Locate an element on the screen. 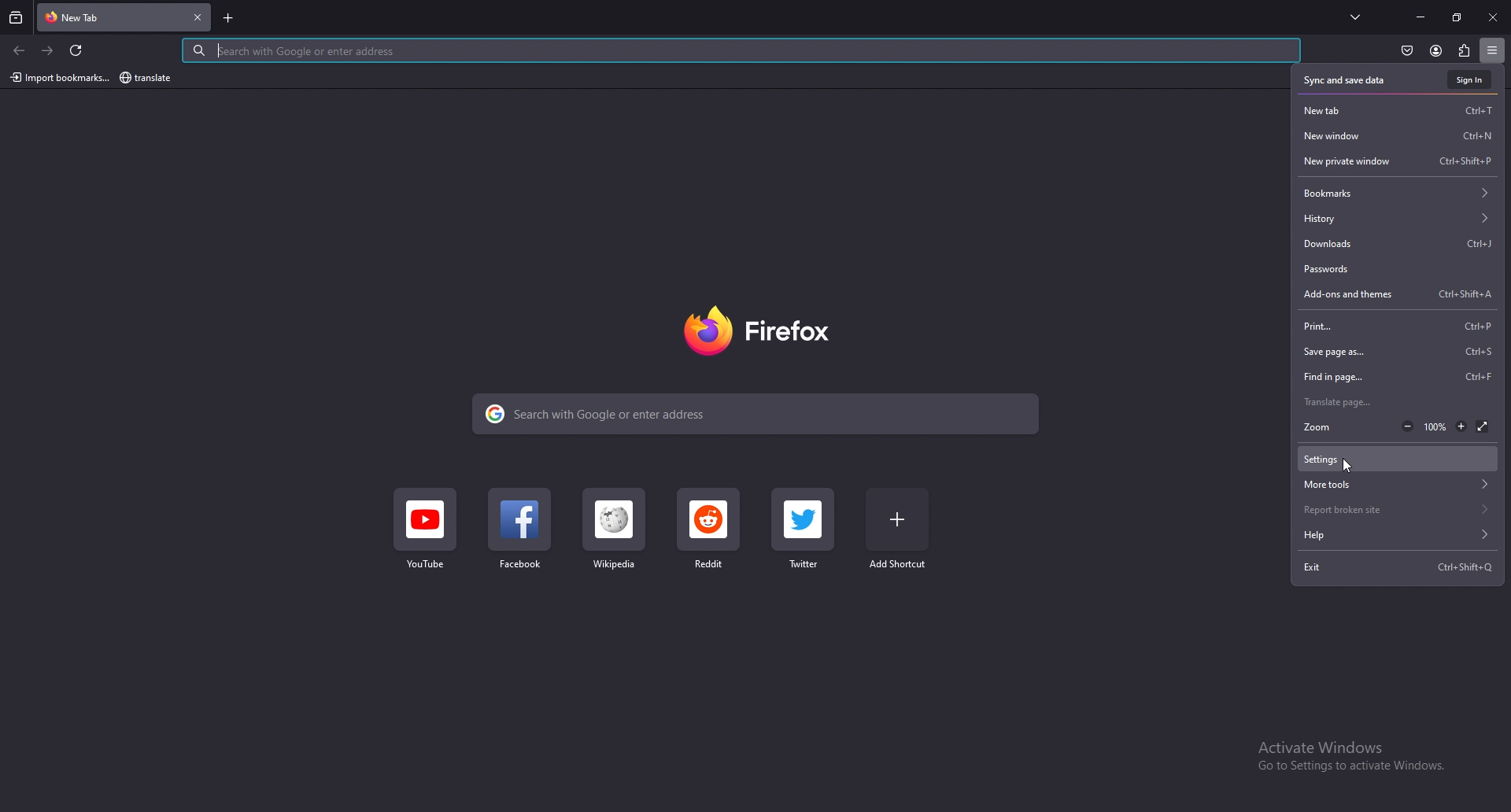  passwords is located at coordinates (1395, 270).